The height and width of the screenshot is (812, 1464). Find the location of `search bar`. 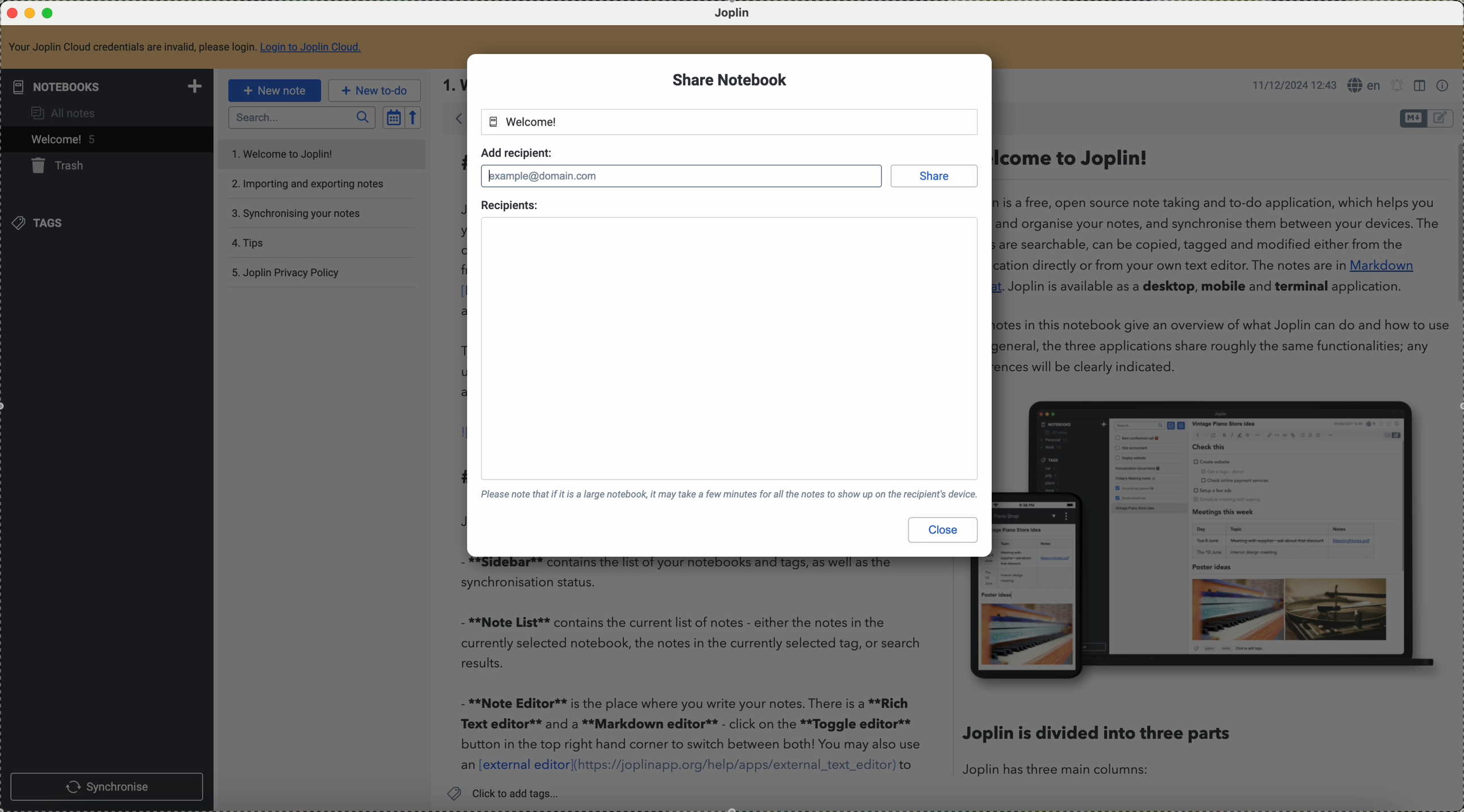

search bar is located at coordinates (301, 118).